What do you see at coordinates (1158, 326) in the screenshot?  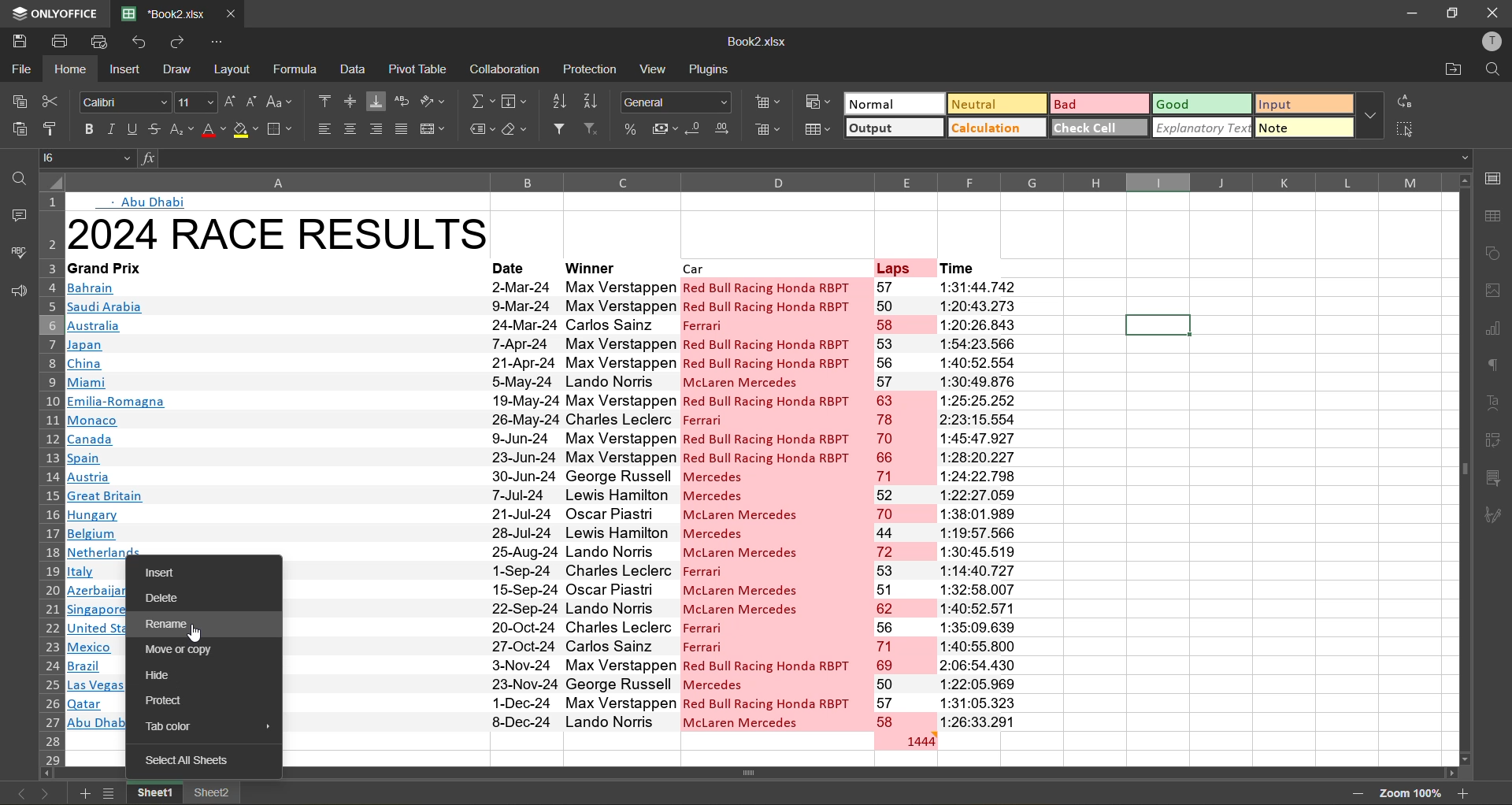 I see `selected cell` at bounding box center [1158, 326].